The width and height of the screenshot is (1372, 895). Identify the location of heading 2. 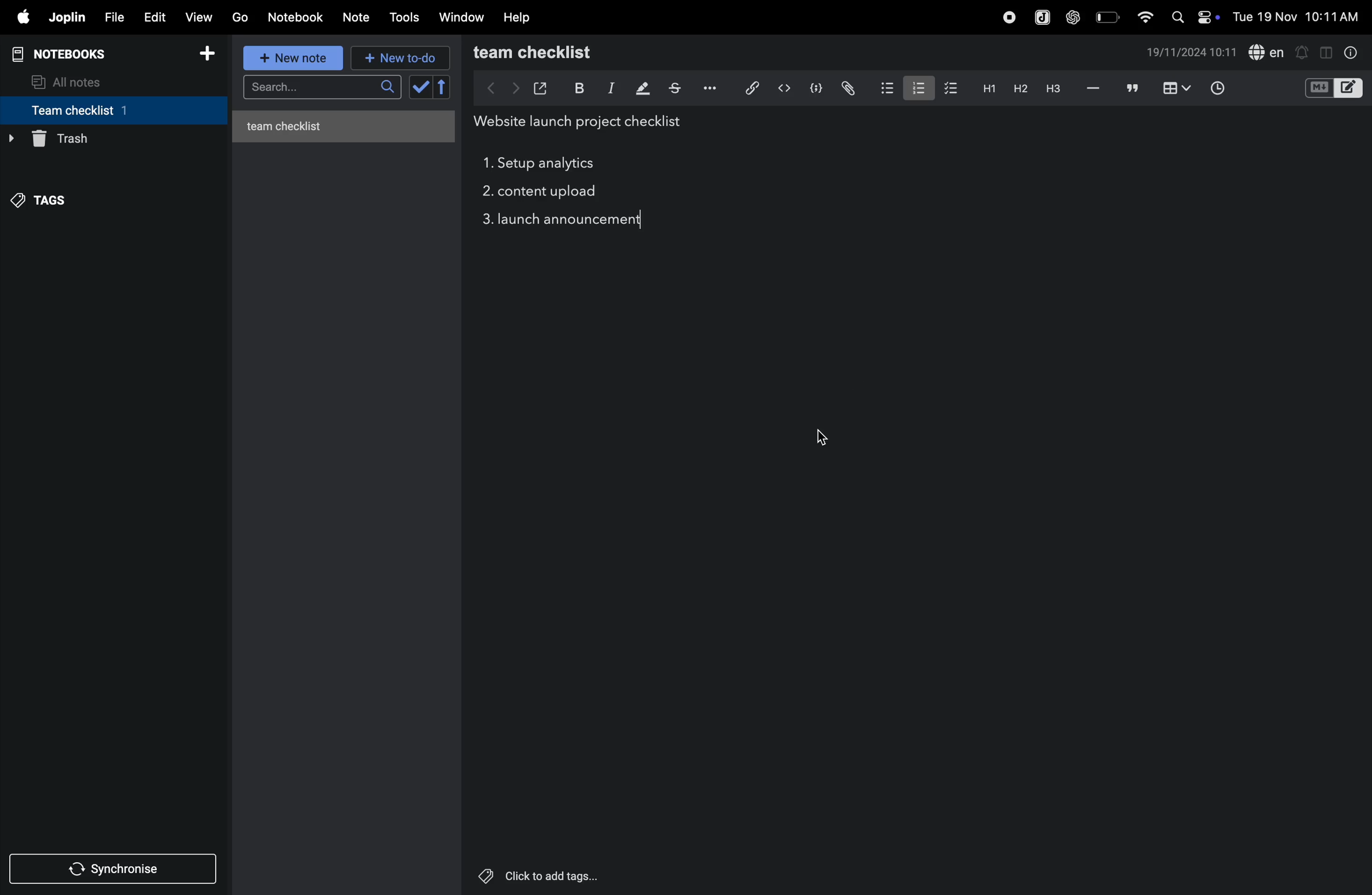
(986, 88).